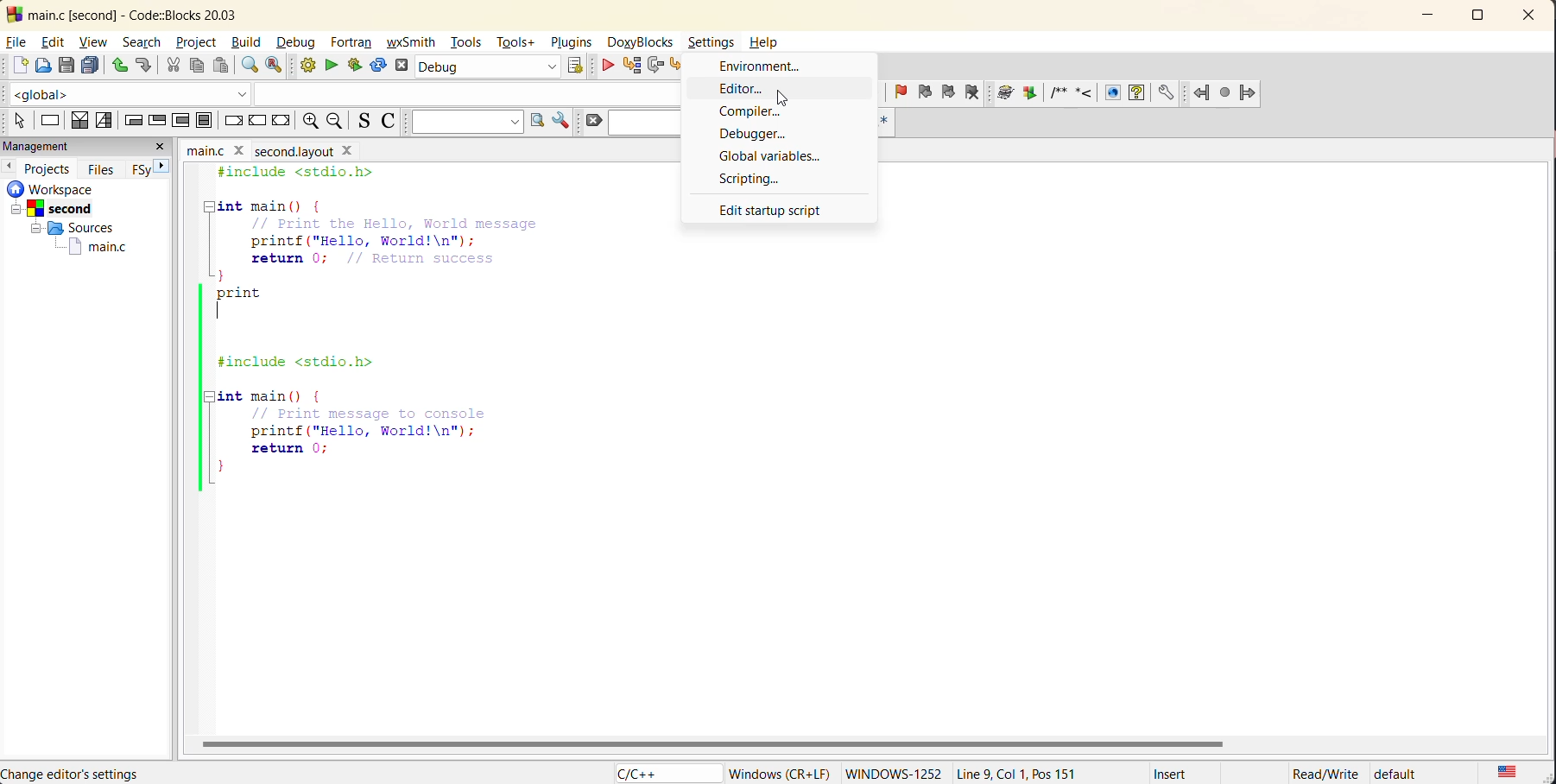 Image resolution: width=1556 pixels, height=784 pixels. Describe the element at coordinates (753, 179) in the screenshot. I see `scripting` at that location.